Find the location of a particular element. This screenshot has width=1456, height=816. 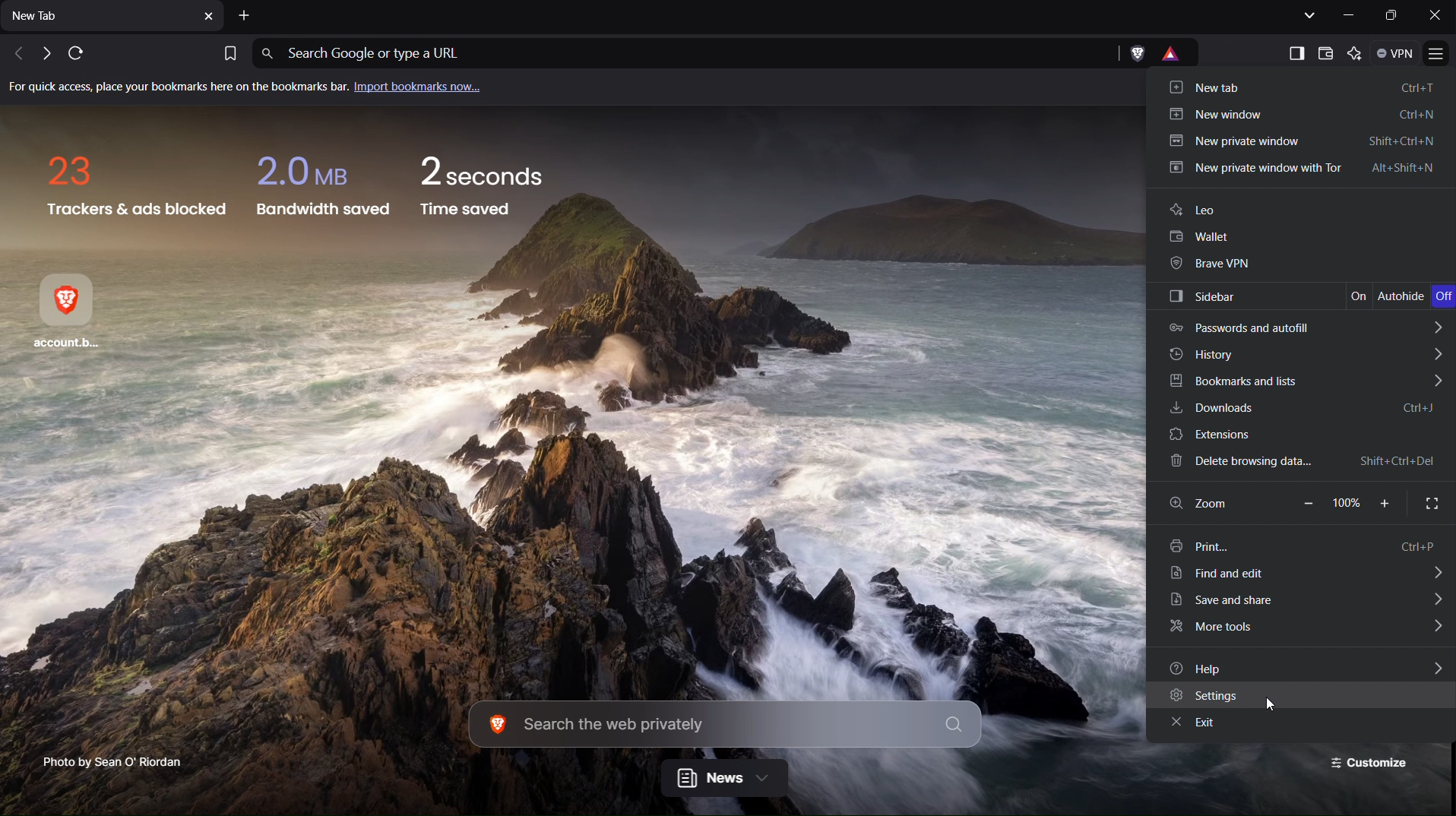

Extensions is located at coordinates (1300, 435).